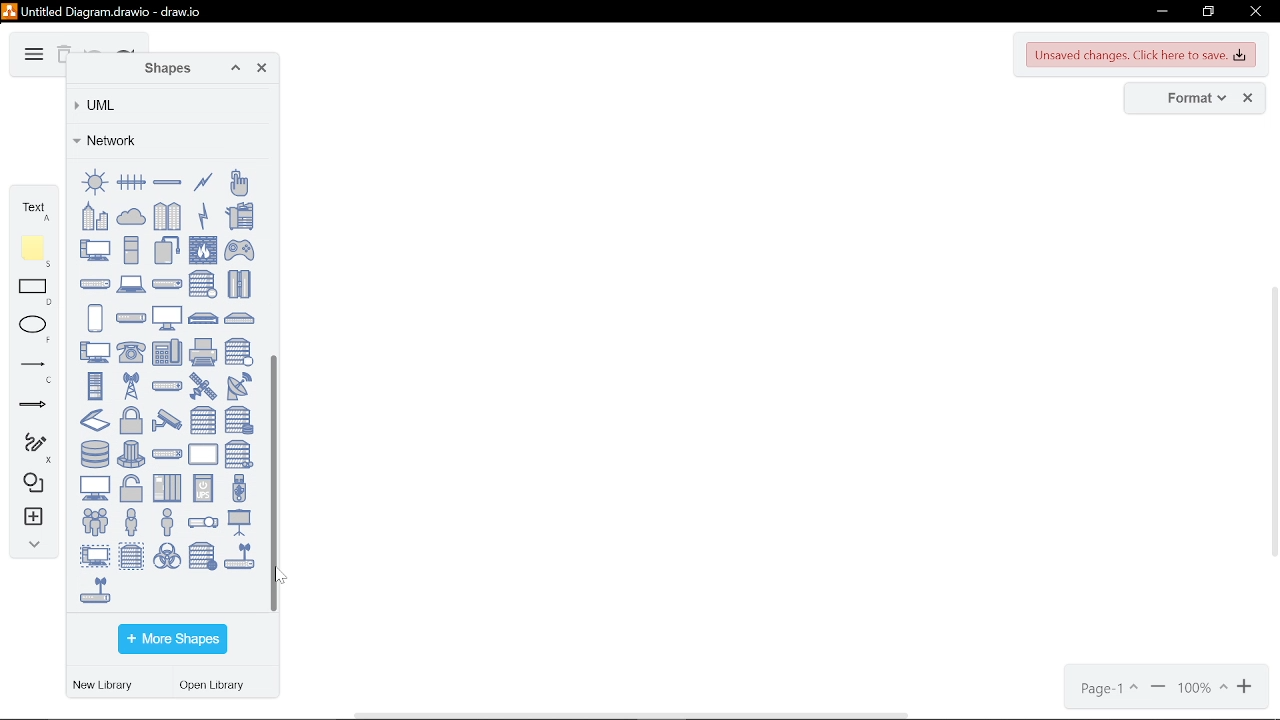 This screenshot has height=720, width=1280. Describe the element at coordinates (239, 522) in the screenshot. I see `video projector screen` at that location.